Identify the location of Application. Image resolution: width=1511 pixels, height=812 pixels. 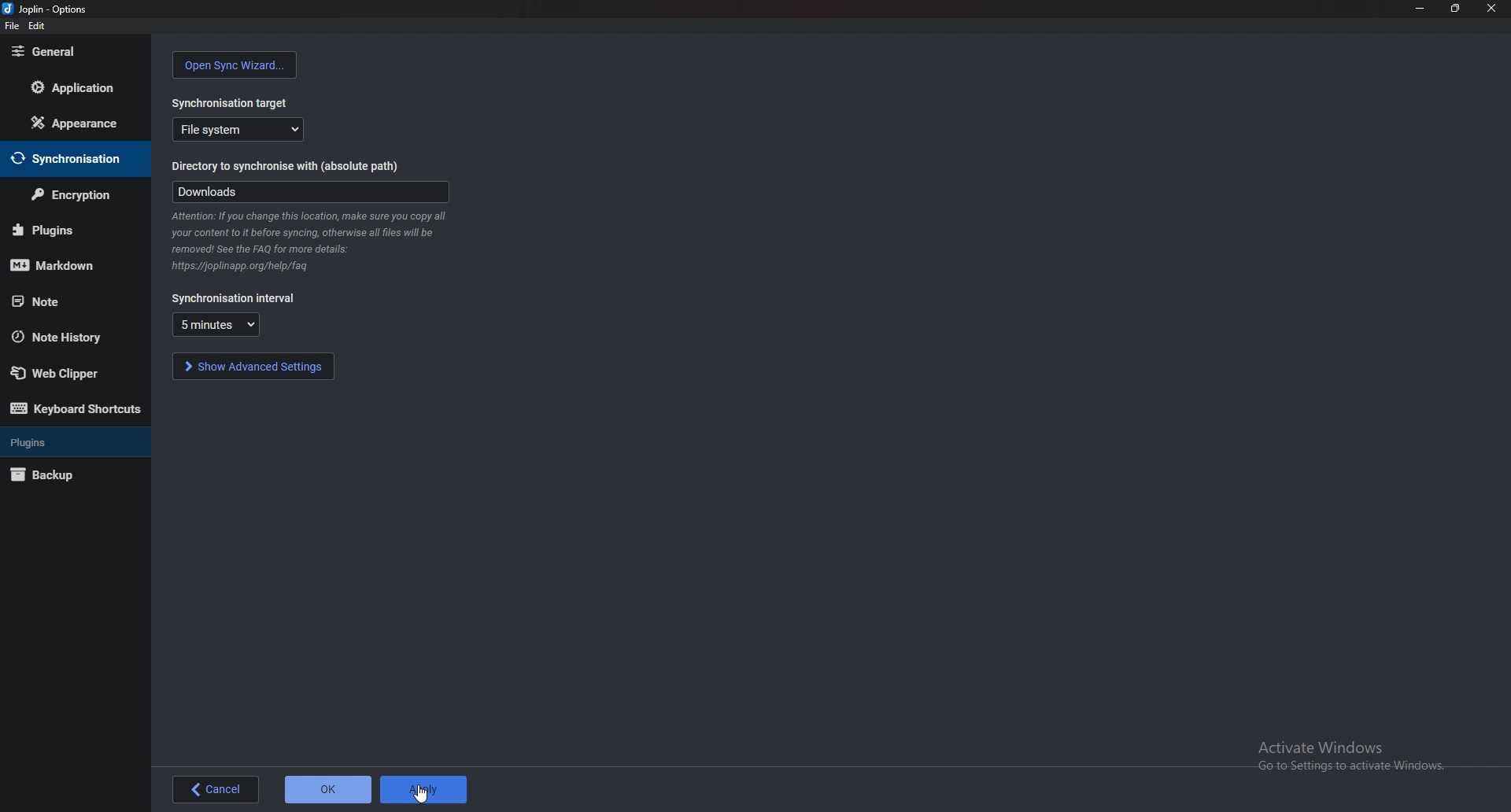
(75, 90).